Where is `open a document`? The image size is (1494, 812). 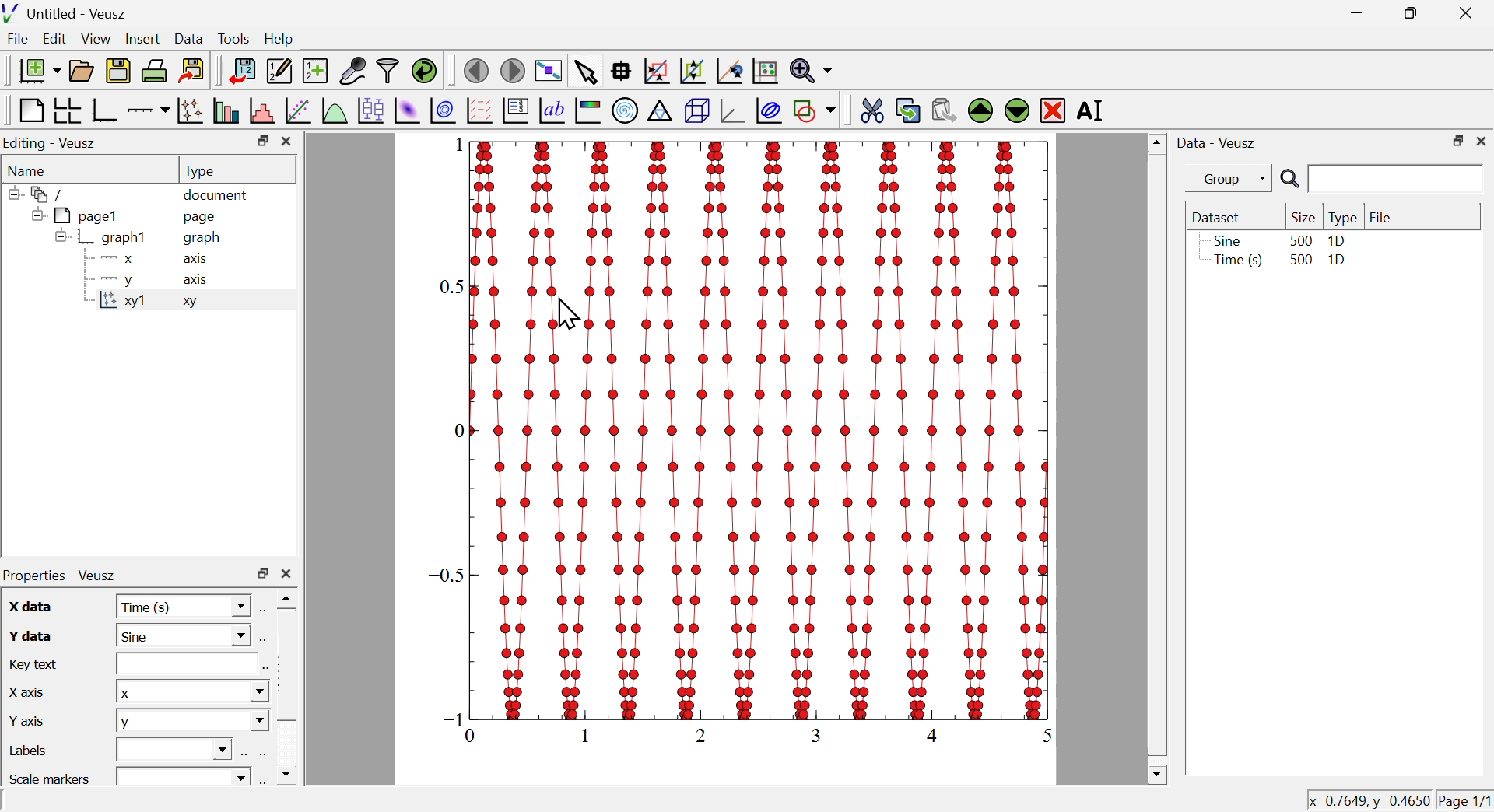
open a document is located at coordinates (83, 69).